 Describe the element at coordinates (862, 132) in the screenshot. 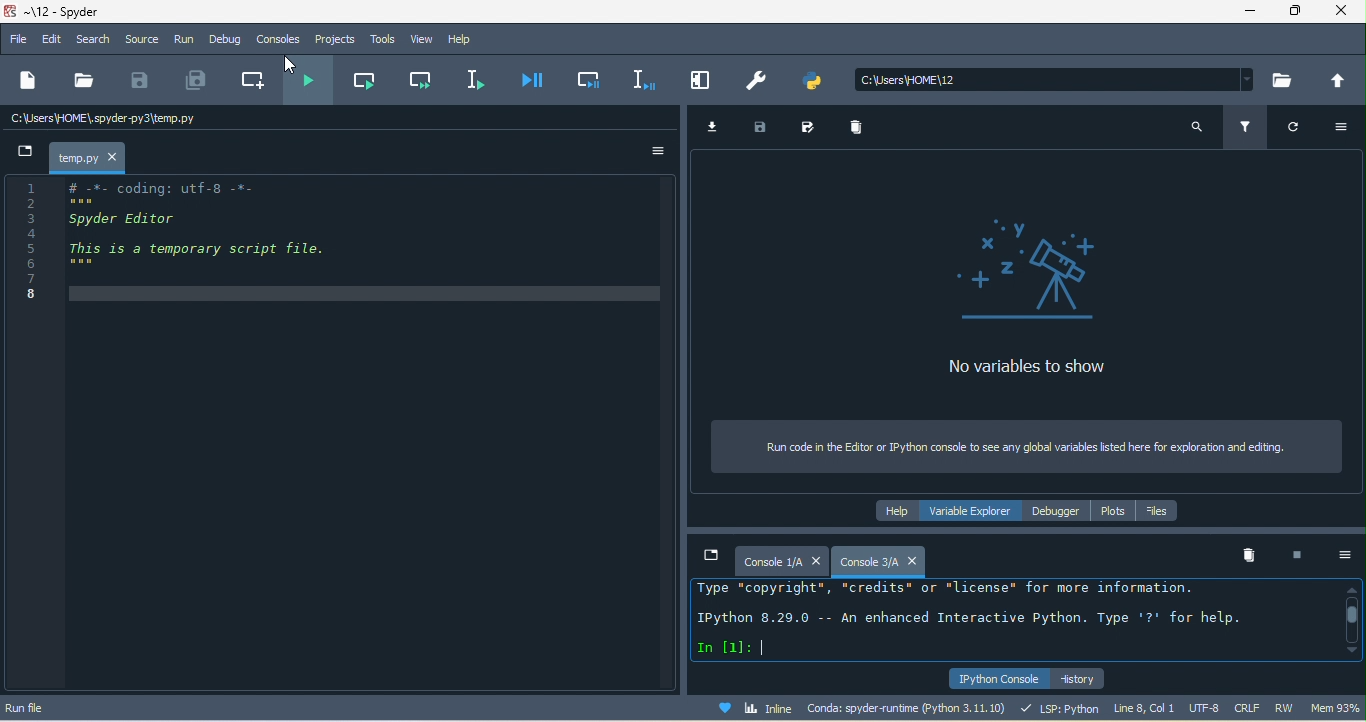

I see `remove all` at that location.